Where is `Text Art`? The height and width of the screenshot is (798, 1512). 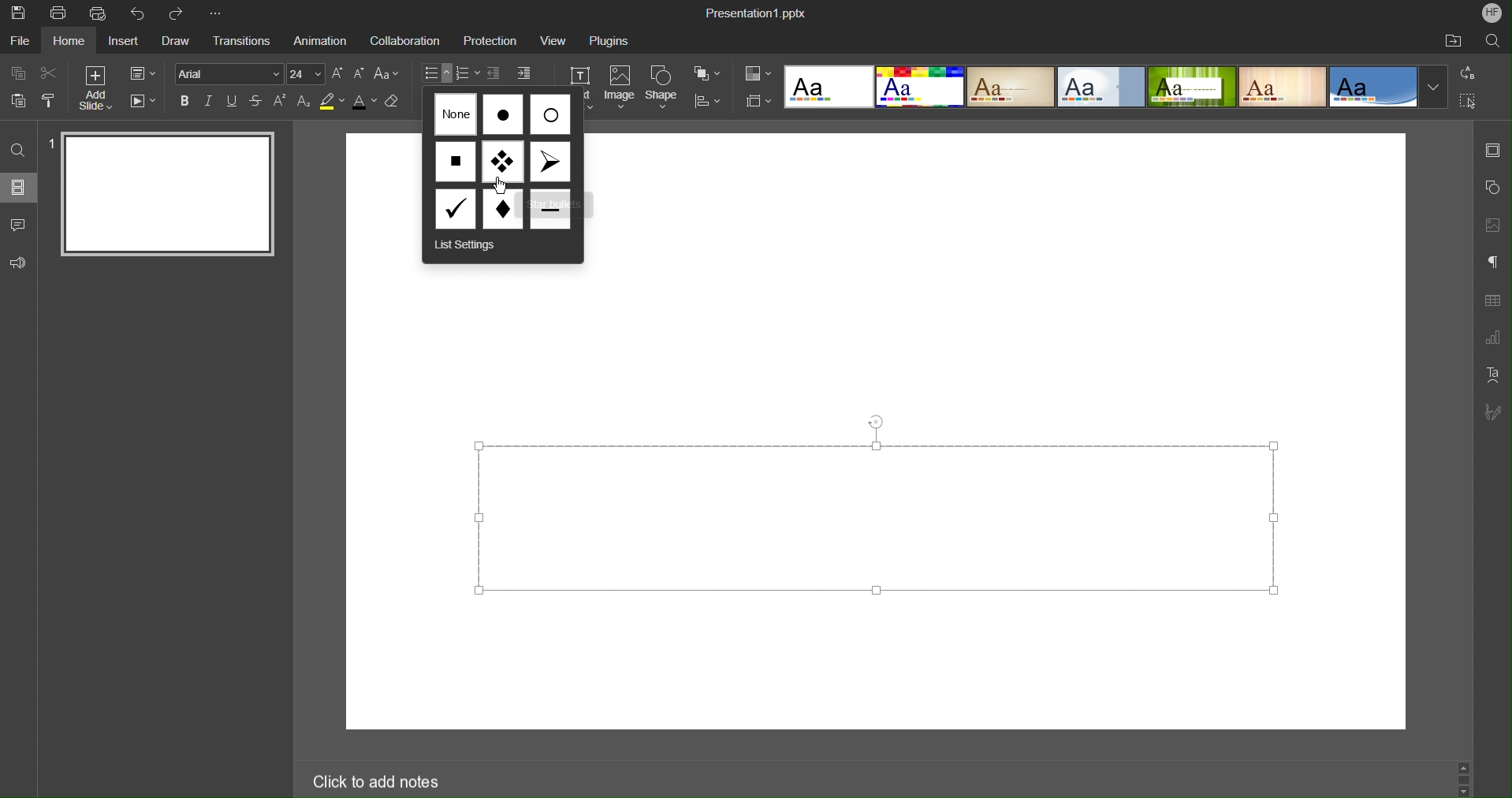 Text Art is located at coordinates (1493, 374).